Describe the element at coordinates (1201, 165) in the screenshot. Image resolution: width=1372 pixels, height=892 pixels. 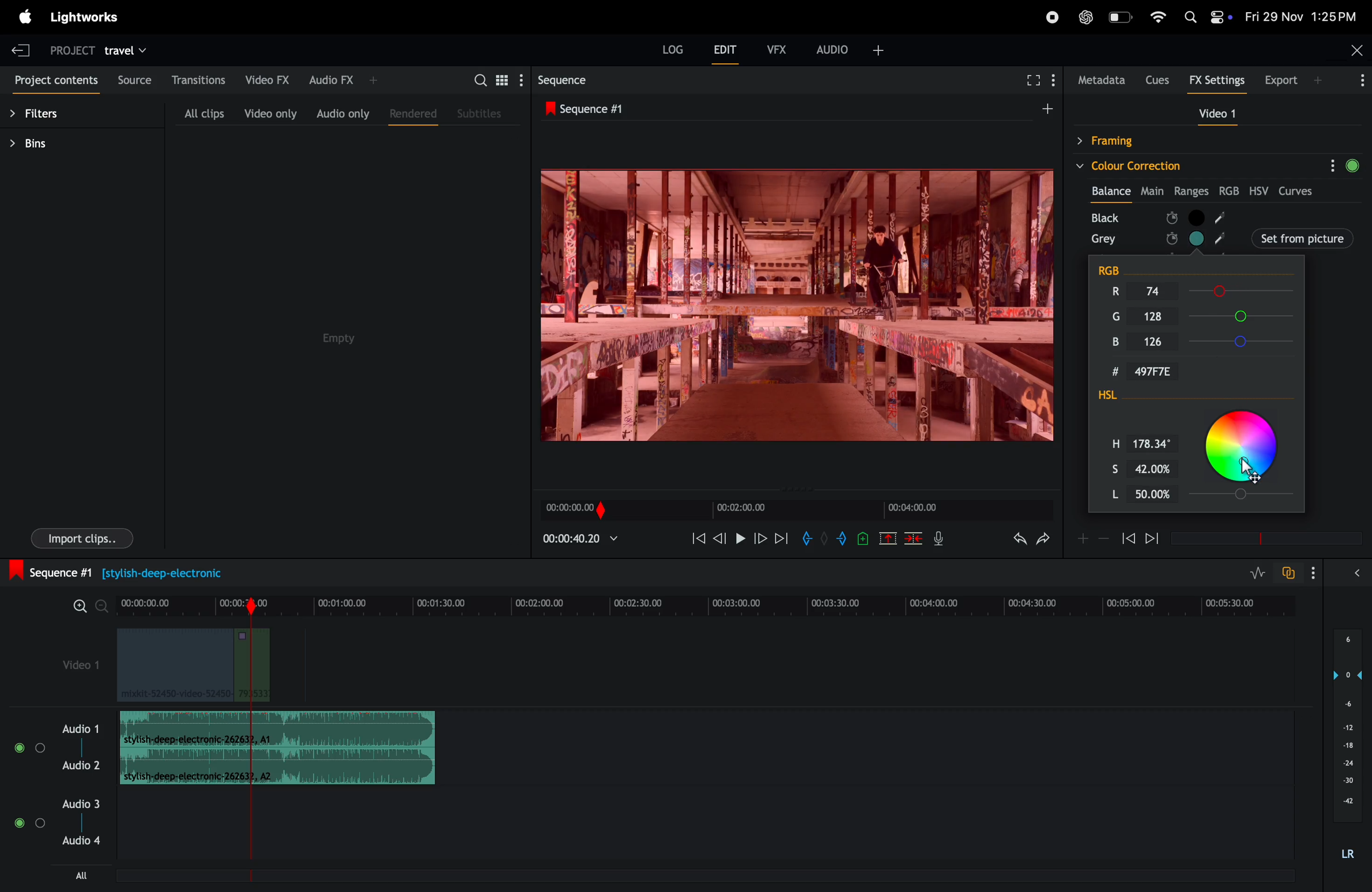
I see `colour correction` at that location.